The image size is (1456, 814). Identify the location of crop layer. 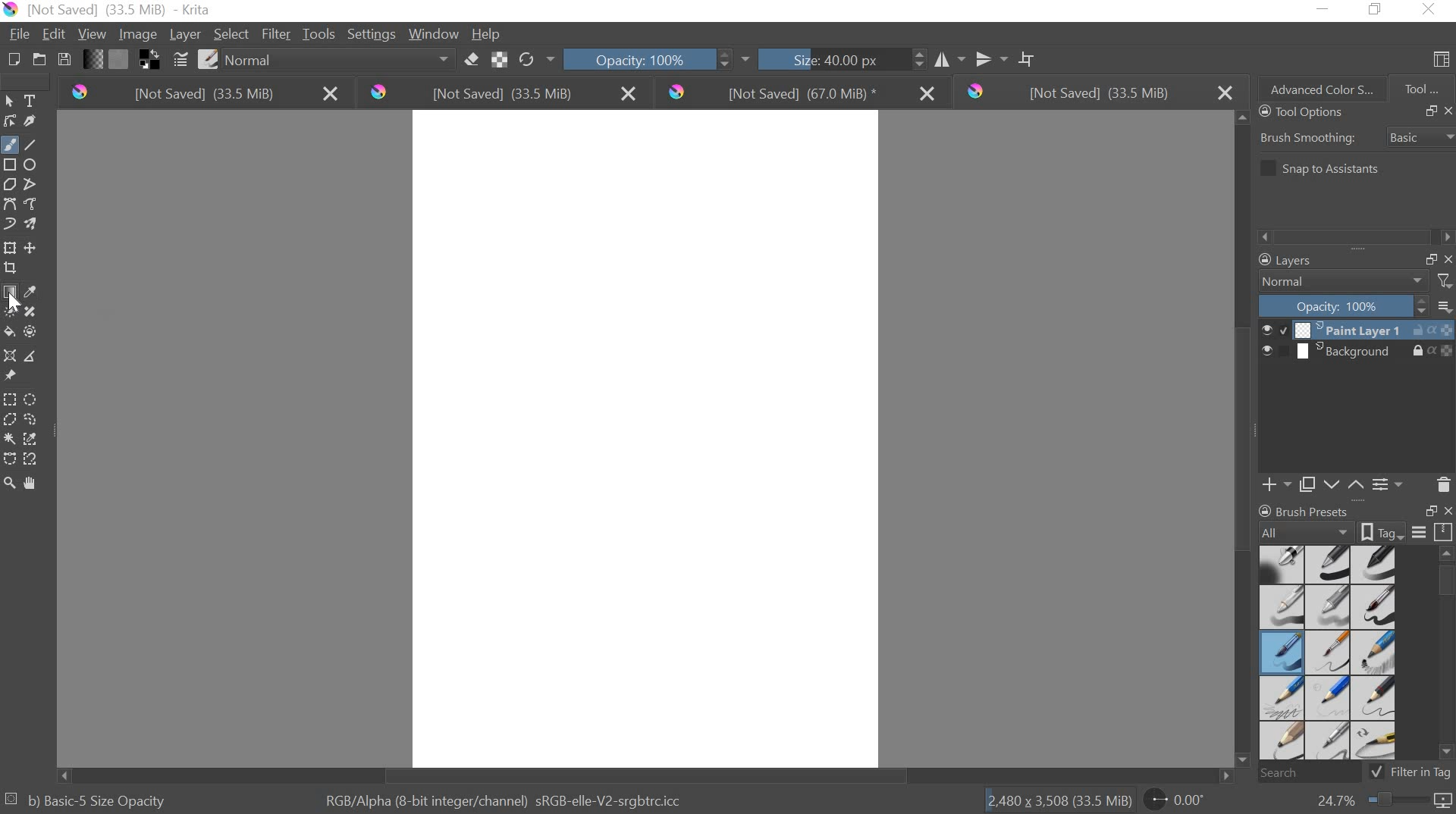
(12, 270).